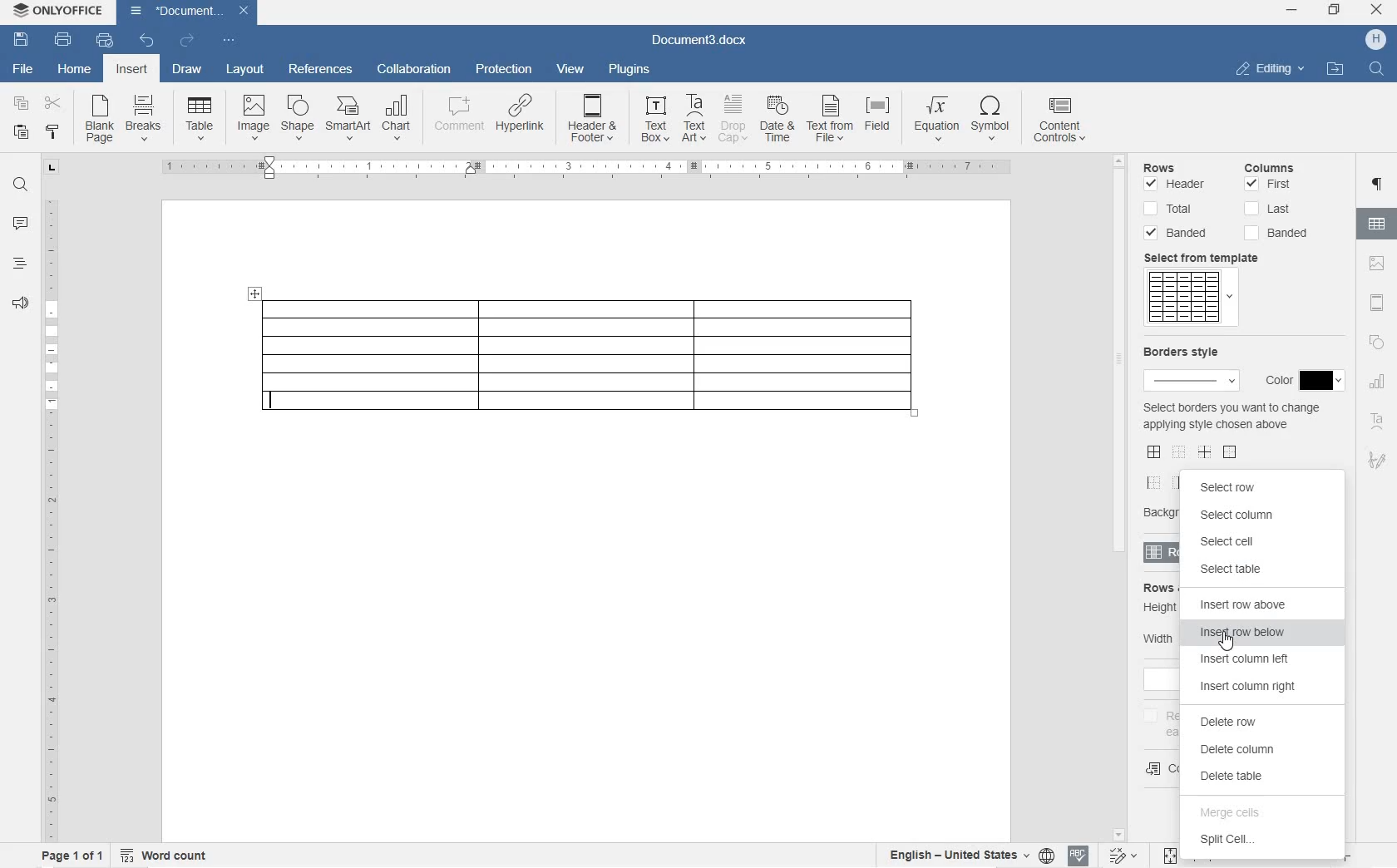 The width and height of the screenshot is (1397, 868). What do you see at coordinates (655, 121) in the screenshot?
I see `TEXT BOX` at bounding box center [655, 121].